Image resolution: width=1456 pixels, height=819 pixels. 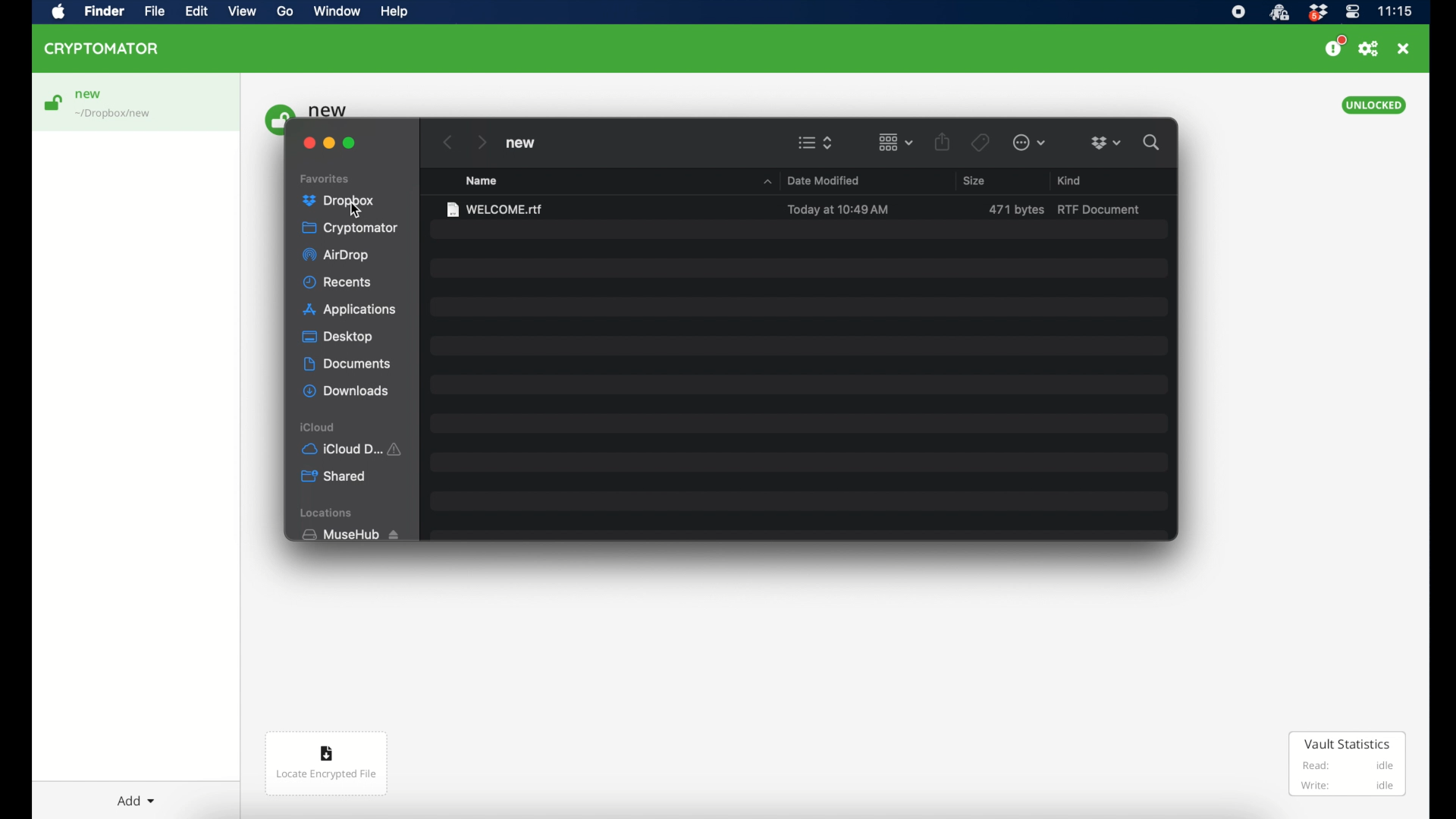 What do you see at coordinates (328, 513) in the screenshot?
I see `locations` at bounding box center [328, 513].